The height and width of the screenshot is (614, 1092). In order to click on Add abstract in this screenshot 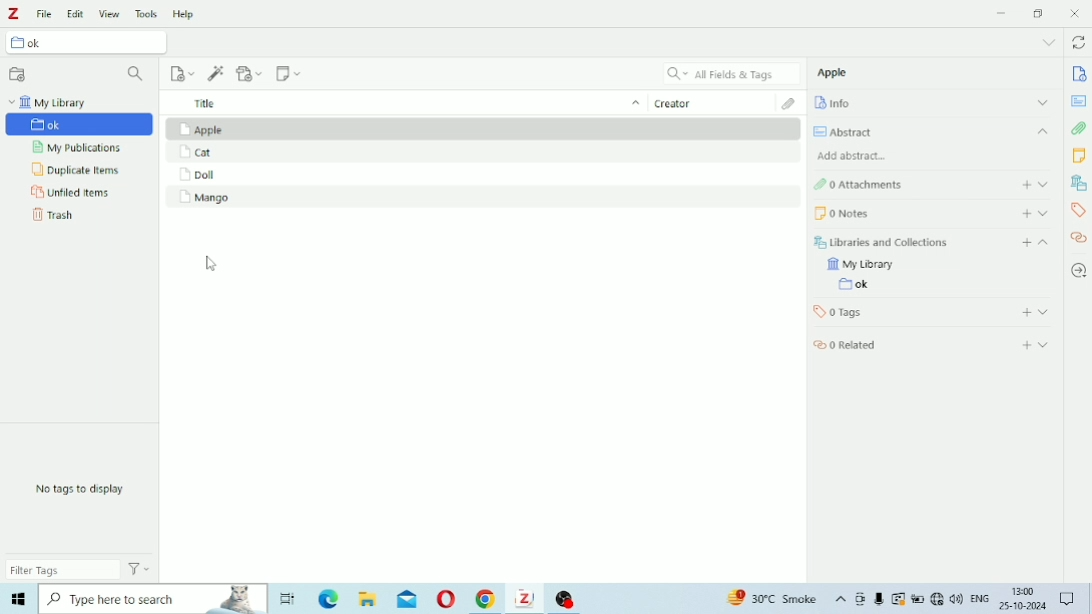, I will do `click(853, 155)`.